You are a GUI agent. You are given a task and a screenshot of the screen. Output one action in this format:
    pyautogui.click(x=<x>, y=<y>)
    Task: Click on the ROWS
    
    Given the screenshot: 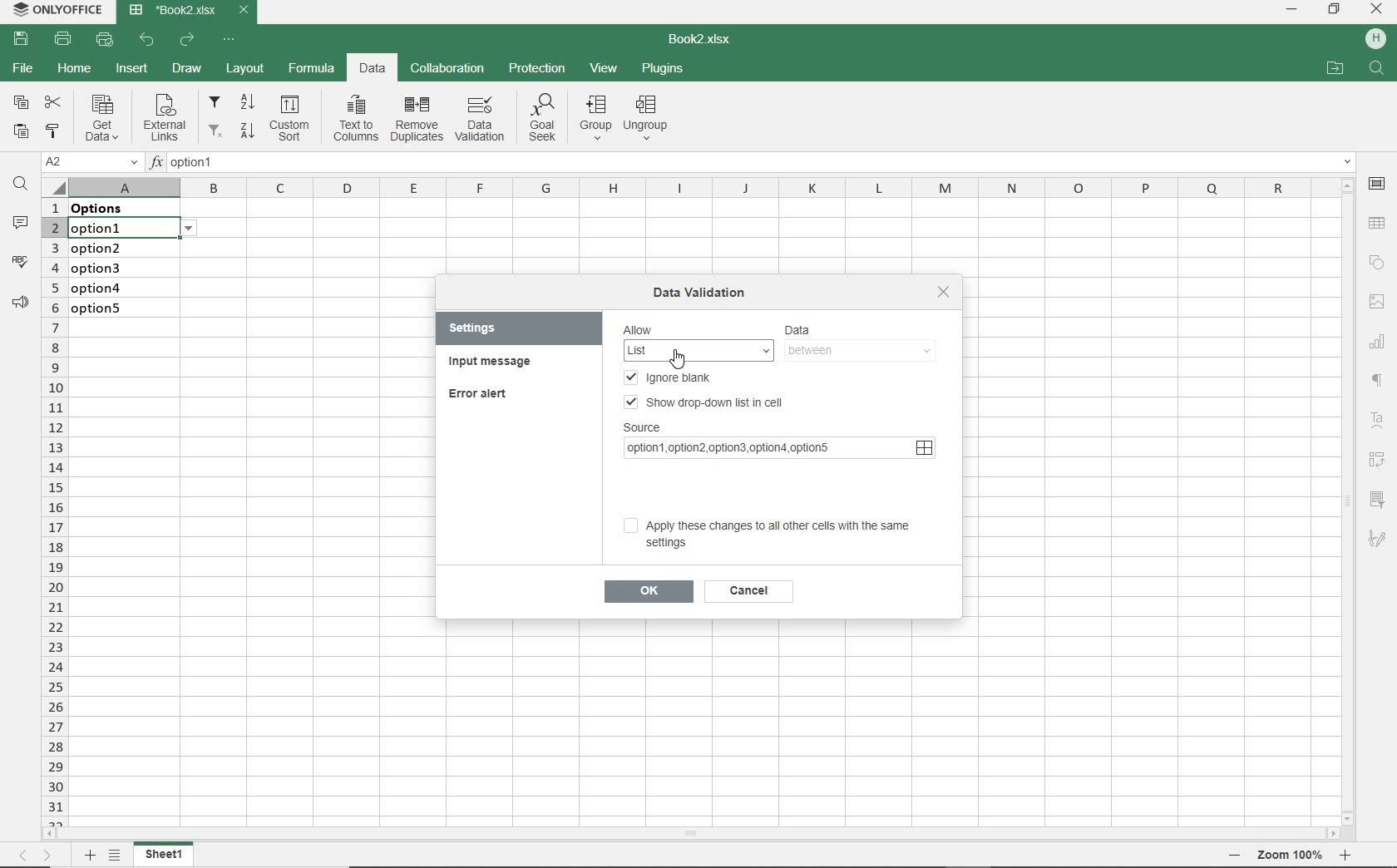 What is the action you would take?
    pyautogui.click(x=53, y=511)
    